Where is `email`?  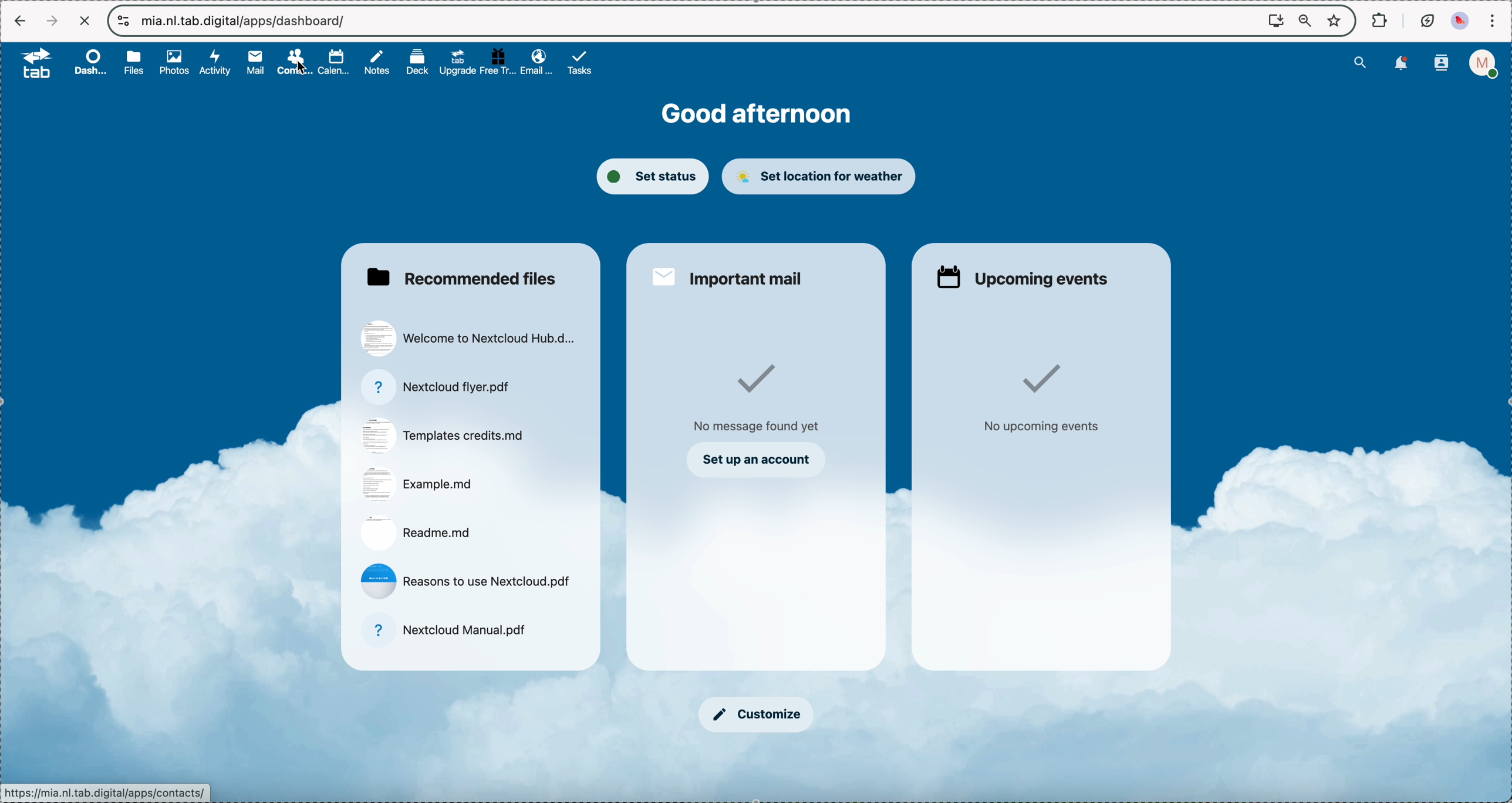
email is located at coordinates (535, 62).